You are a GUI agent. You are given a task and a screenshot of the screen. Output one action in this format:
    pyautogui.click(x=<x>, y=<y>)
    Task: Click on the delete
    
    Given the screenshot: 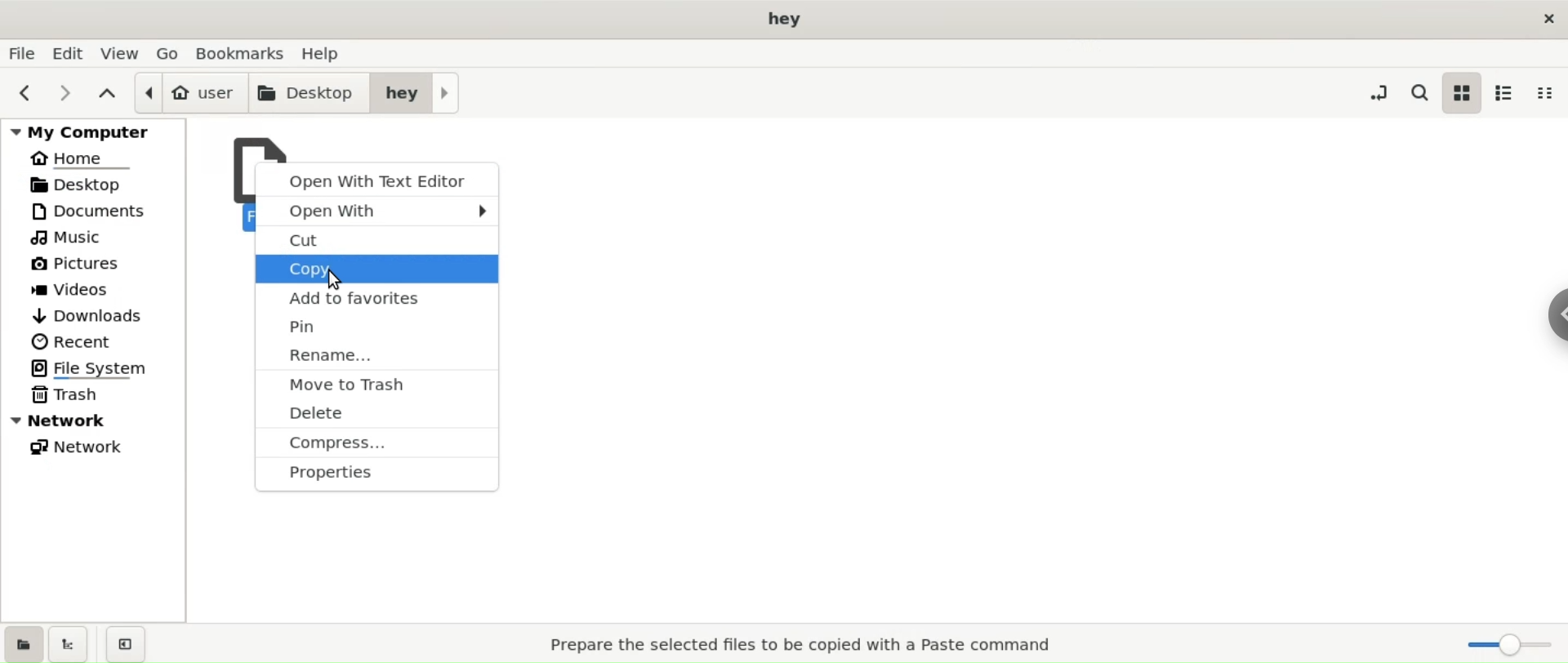 What is the action you would take?
    pyautogui.click(x=377, y=415)
    